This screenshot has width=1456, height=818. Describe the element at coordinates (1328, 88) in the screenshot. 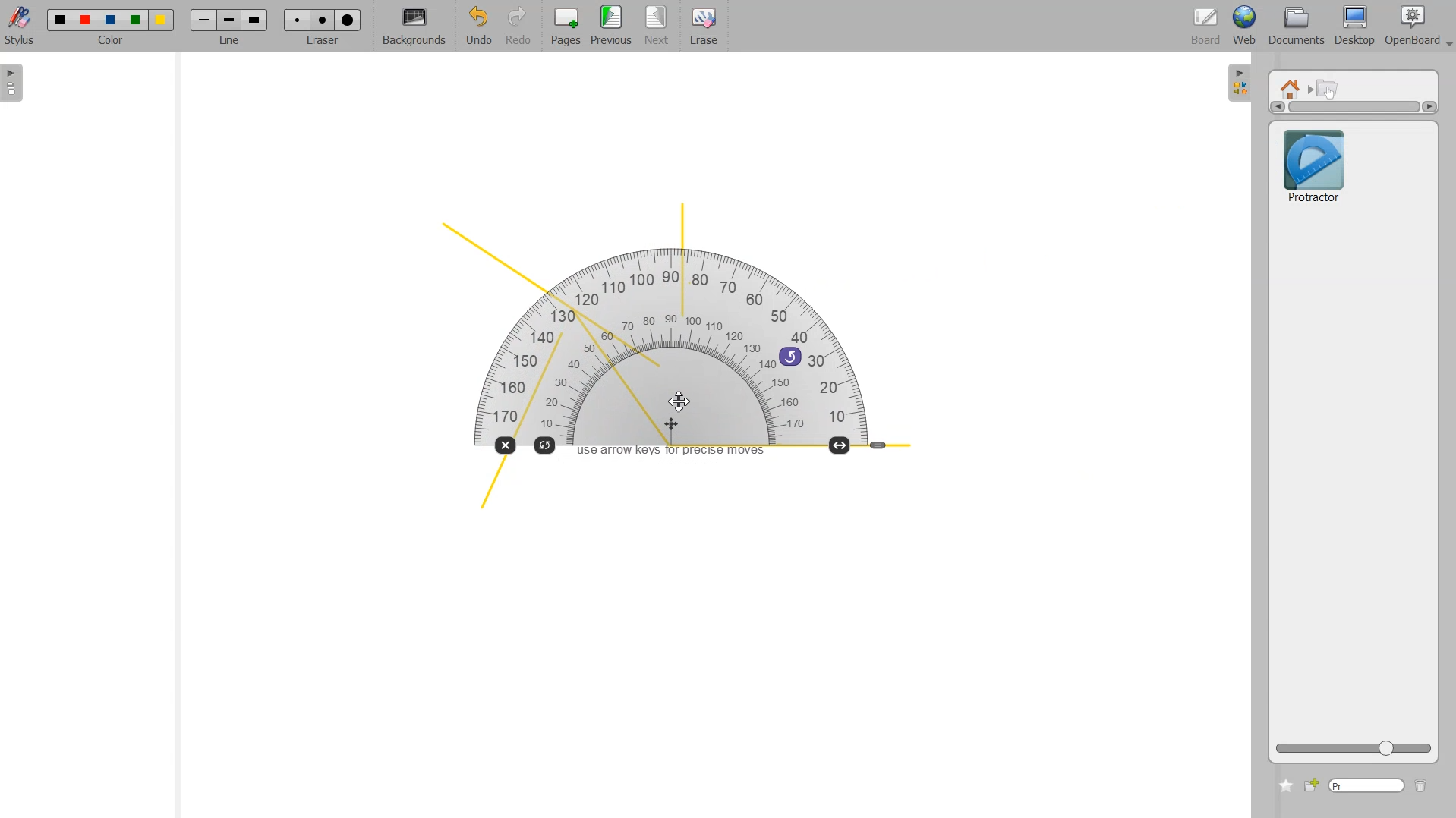

I see `Interactive` at that location.